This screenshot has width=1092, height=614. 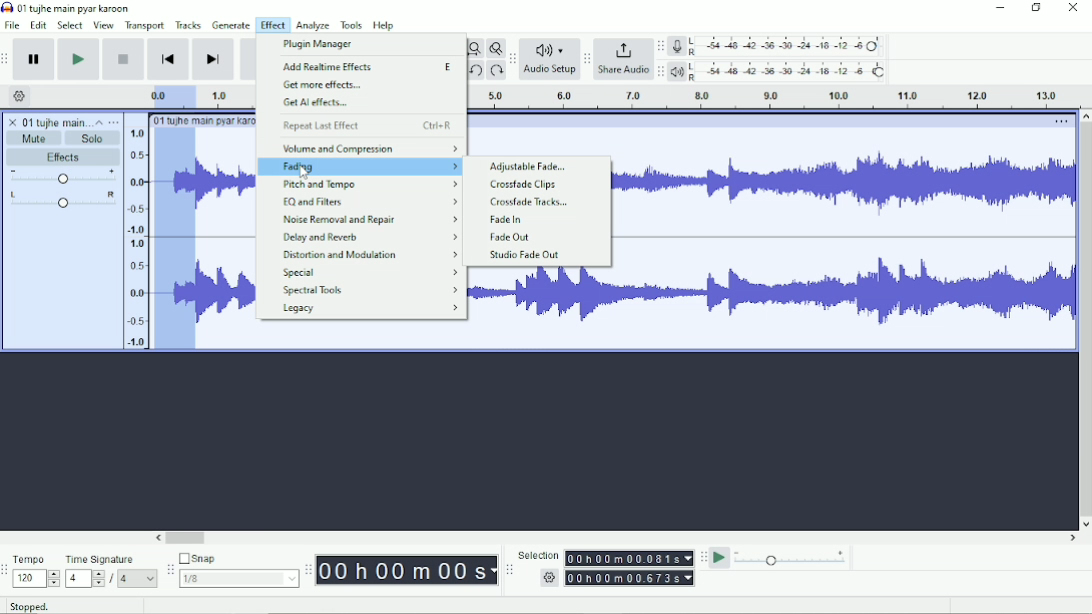 What do you see at coordinates (617, 539) in the screenshot?
I see `Horizontal scrollbar` at bounding box center [617, 539].